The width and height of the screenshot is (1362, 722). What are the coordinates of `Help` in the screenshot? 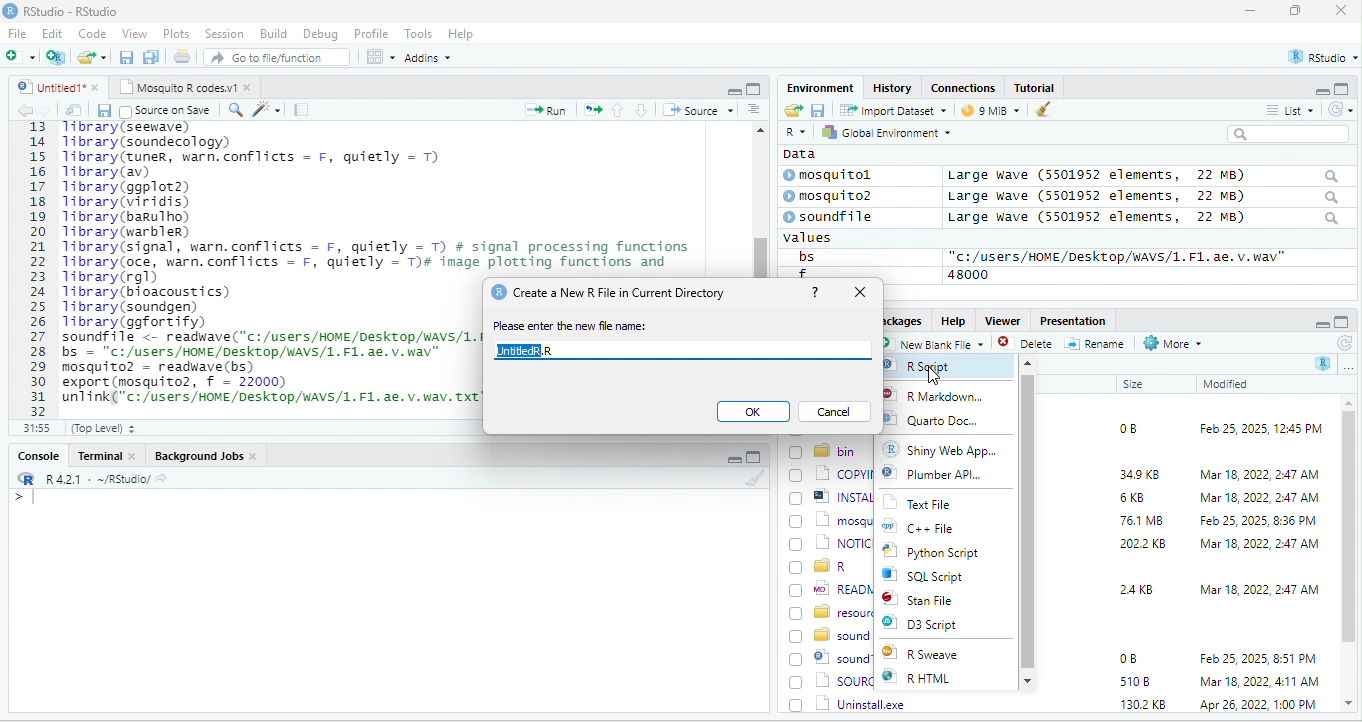 It's located at (462, 35).